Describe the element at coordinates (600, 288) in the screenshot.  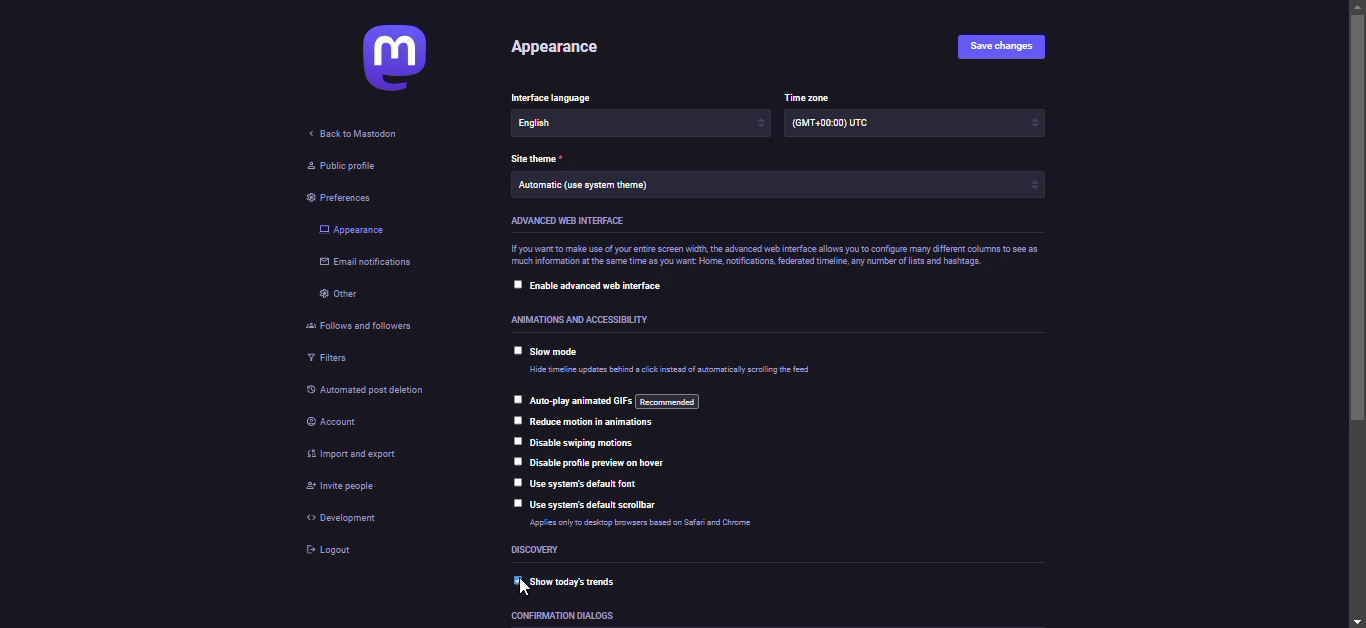
I see `enable advanced web interface` at that location.